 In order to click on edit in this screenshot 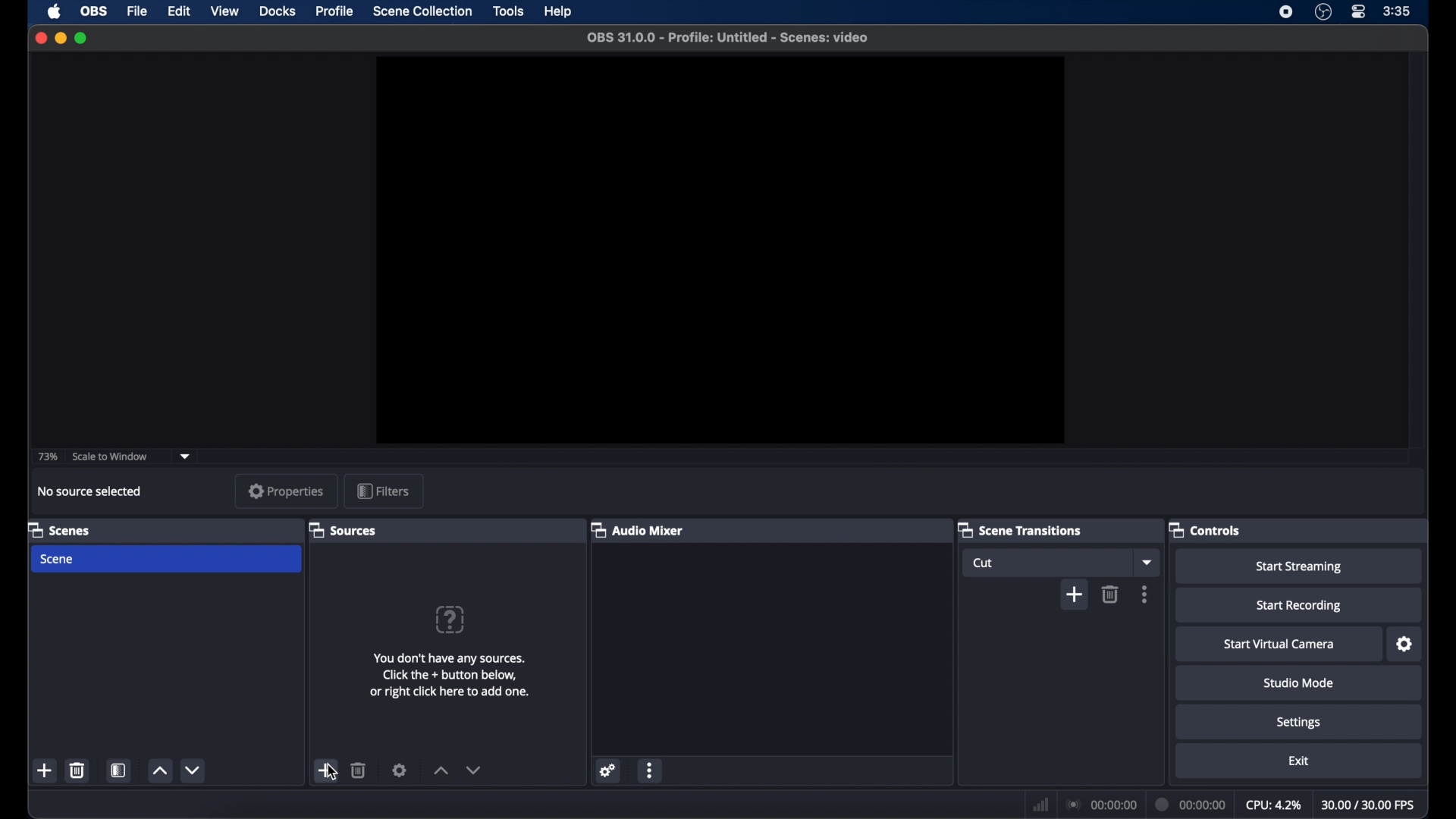, I will do `click(179, 11)`.